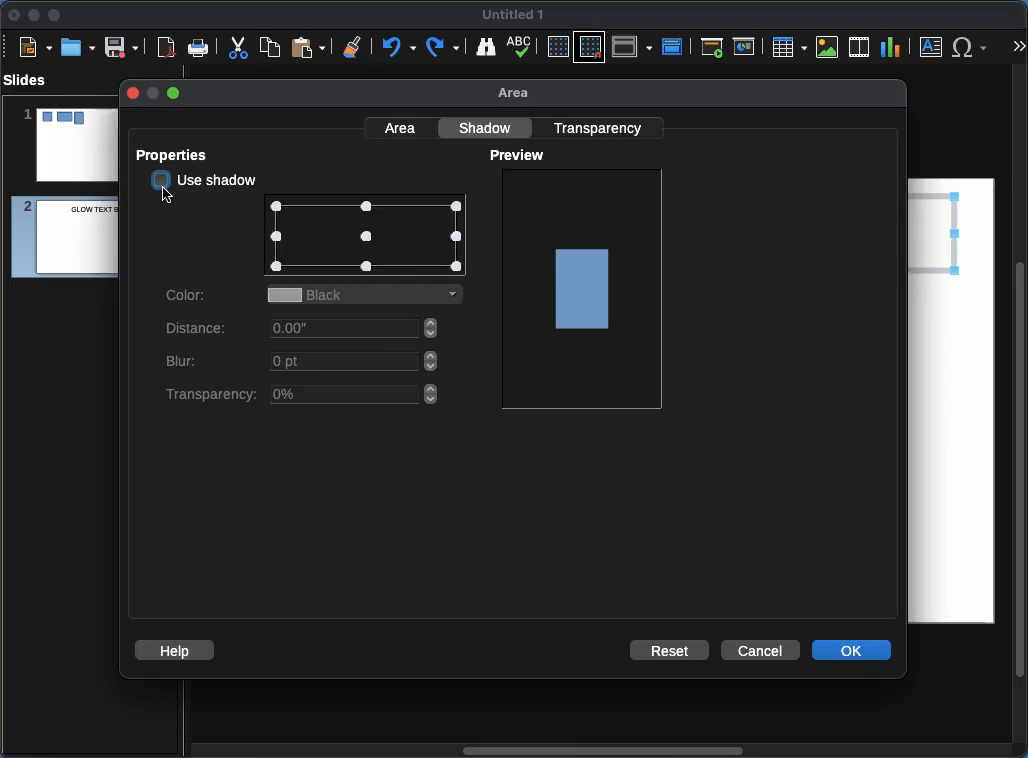 This screenshot has width=1028, height=758. Describe the element at coordinates (974, 47) in the screenshot. I see `Special characters` at that location.